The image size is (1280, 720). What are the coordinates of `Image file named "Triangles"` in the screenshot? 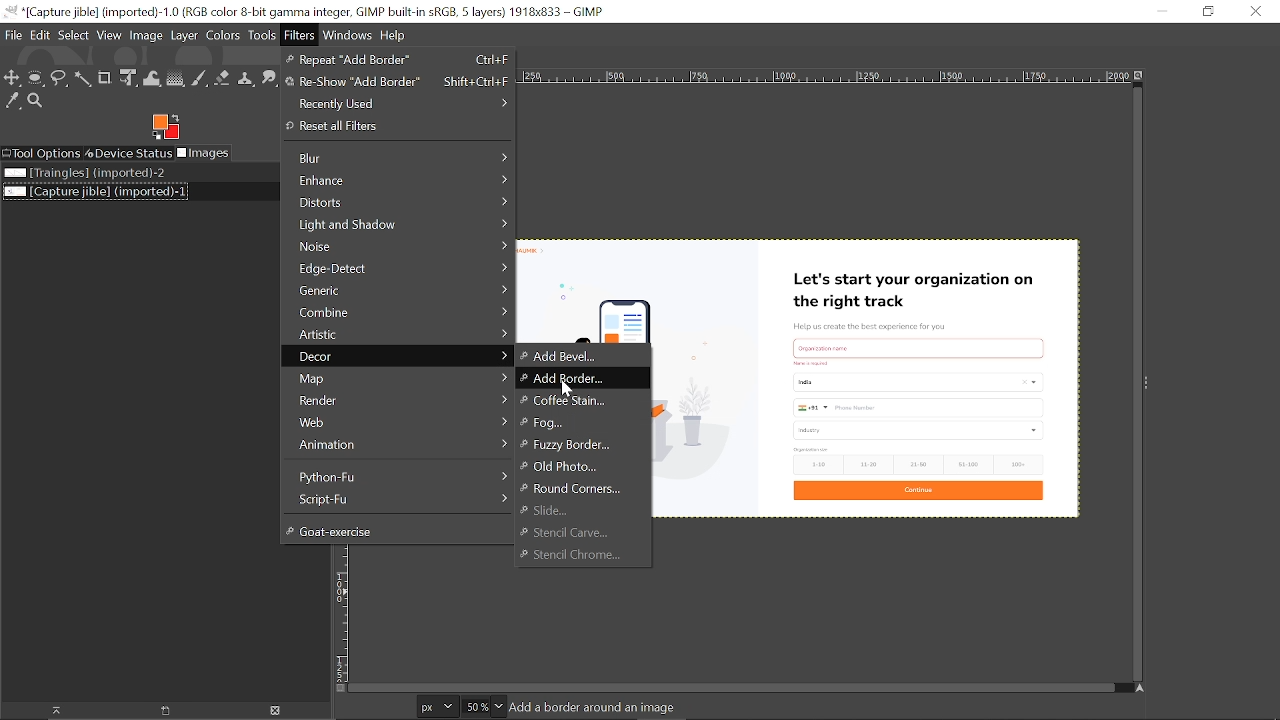 It's located at (92, 172).